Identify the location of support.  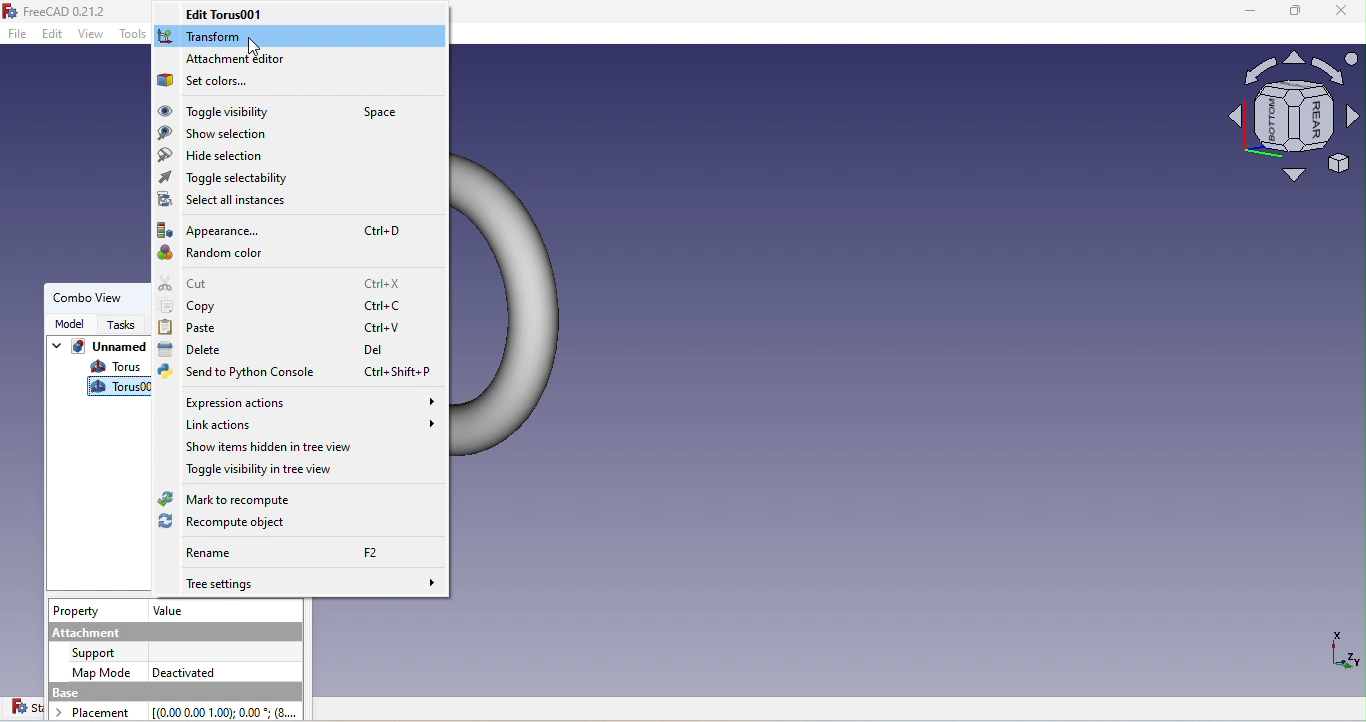
(98, 652).